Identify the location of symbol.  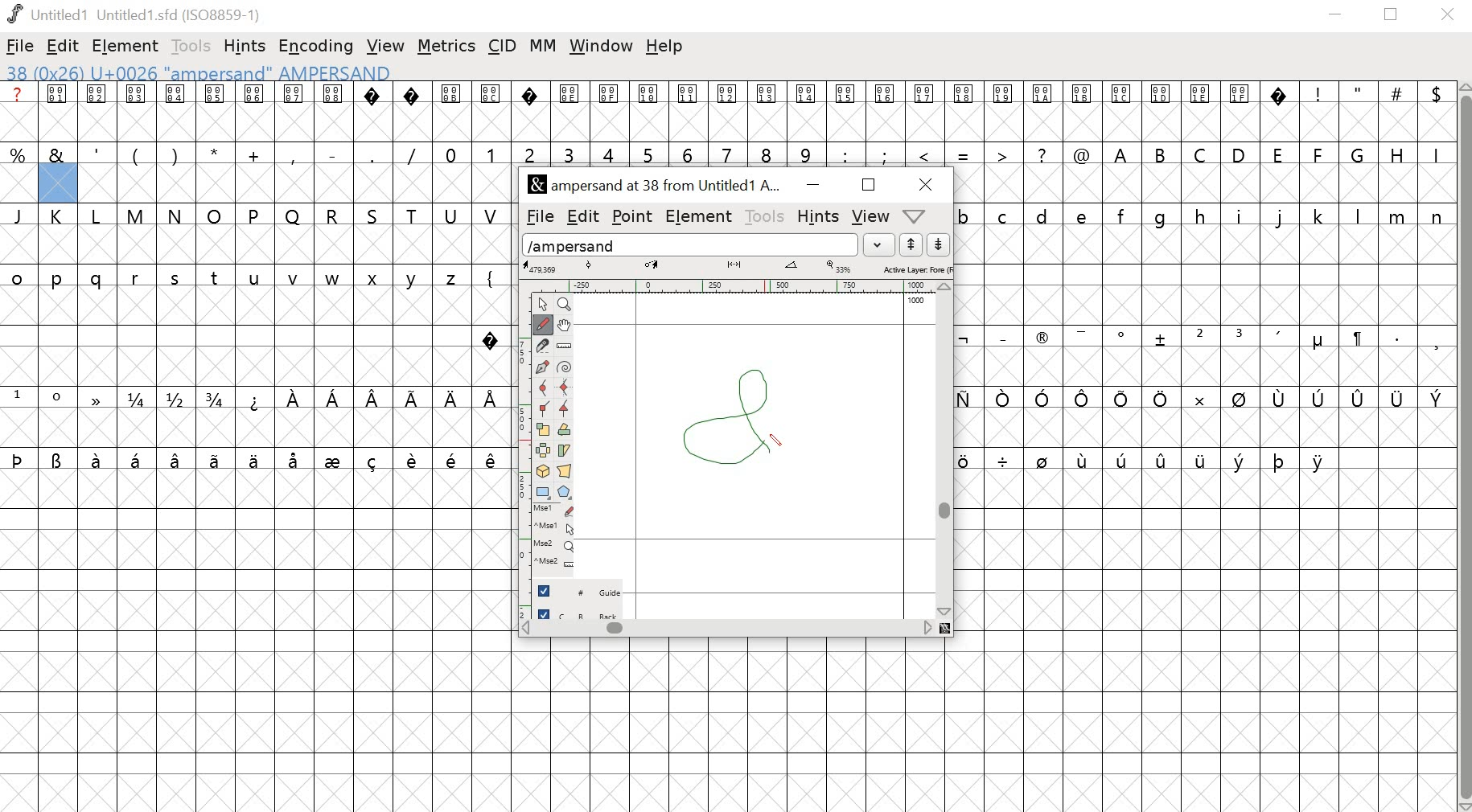
(1321, 398).